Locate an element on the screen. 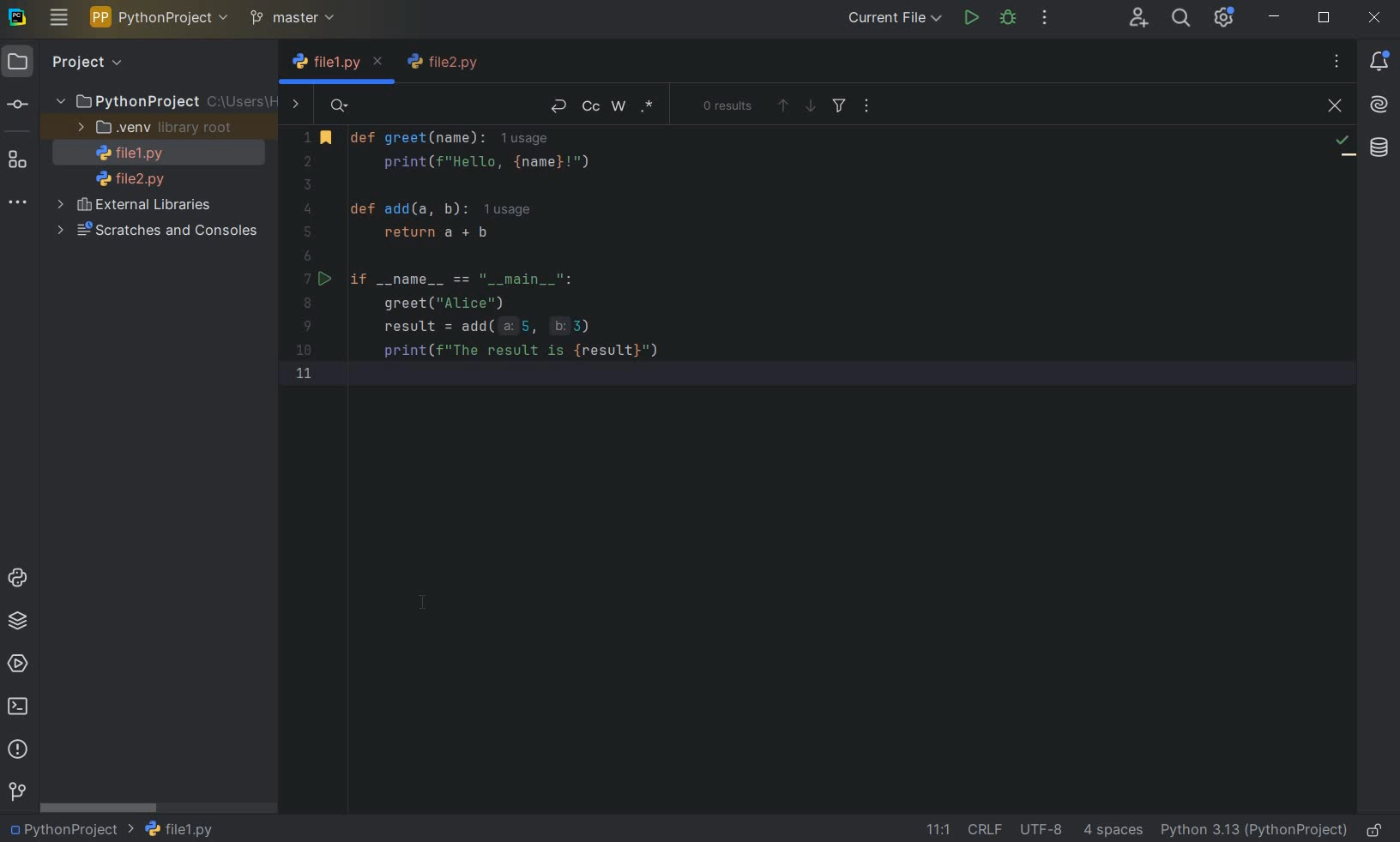 The image size is (1400, 842). SHOW REPLACE FIELDS is located at coordinates (299, 106).